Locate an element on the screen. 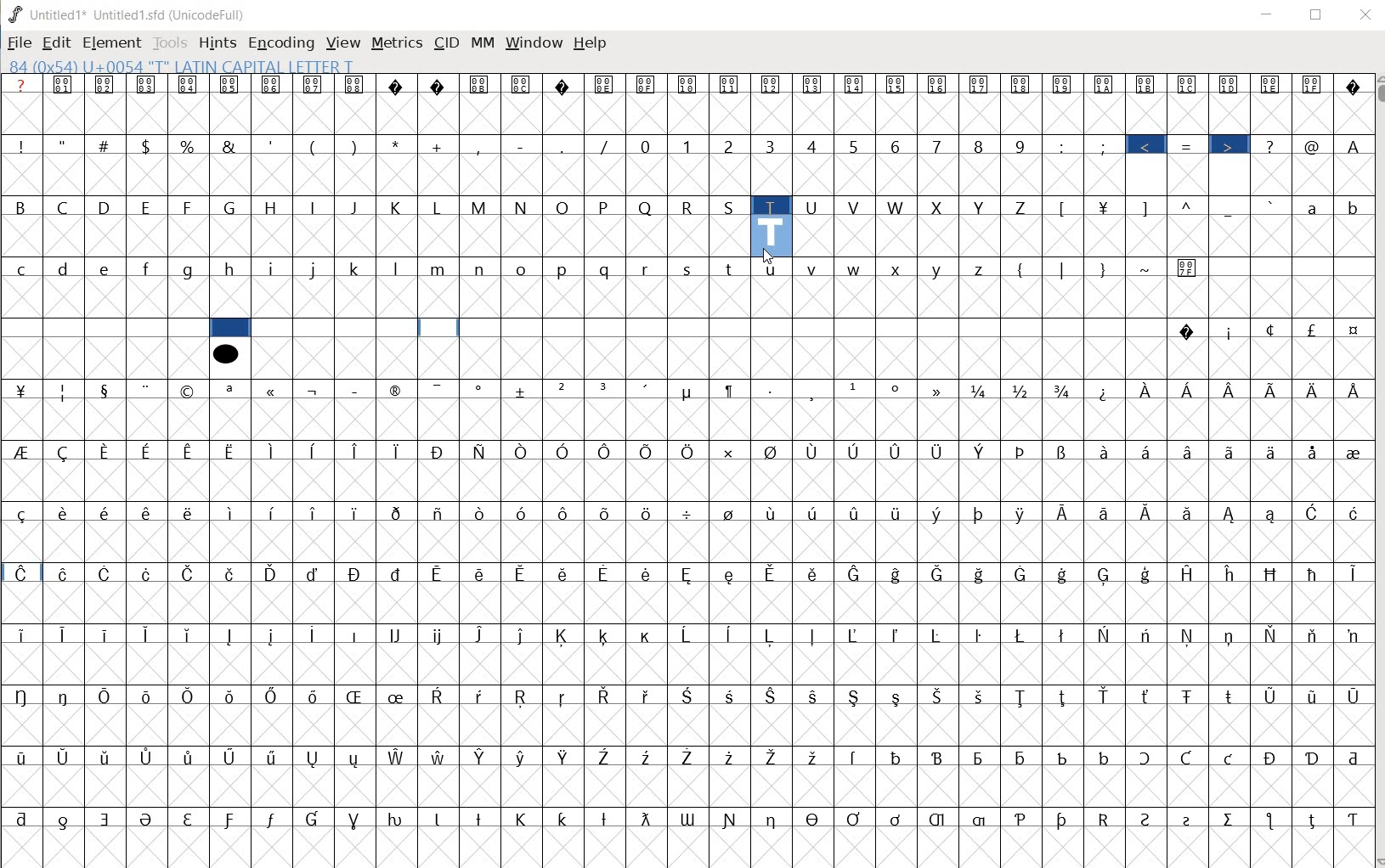 This screenshot has height=868, width=1385. @ is located at coordinates (1314, 146).